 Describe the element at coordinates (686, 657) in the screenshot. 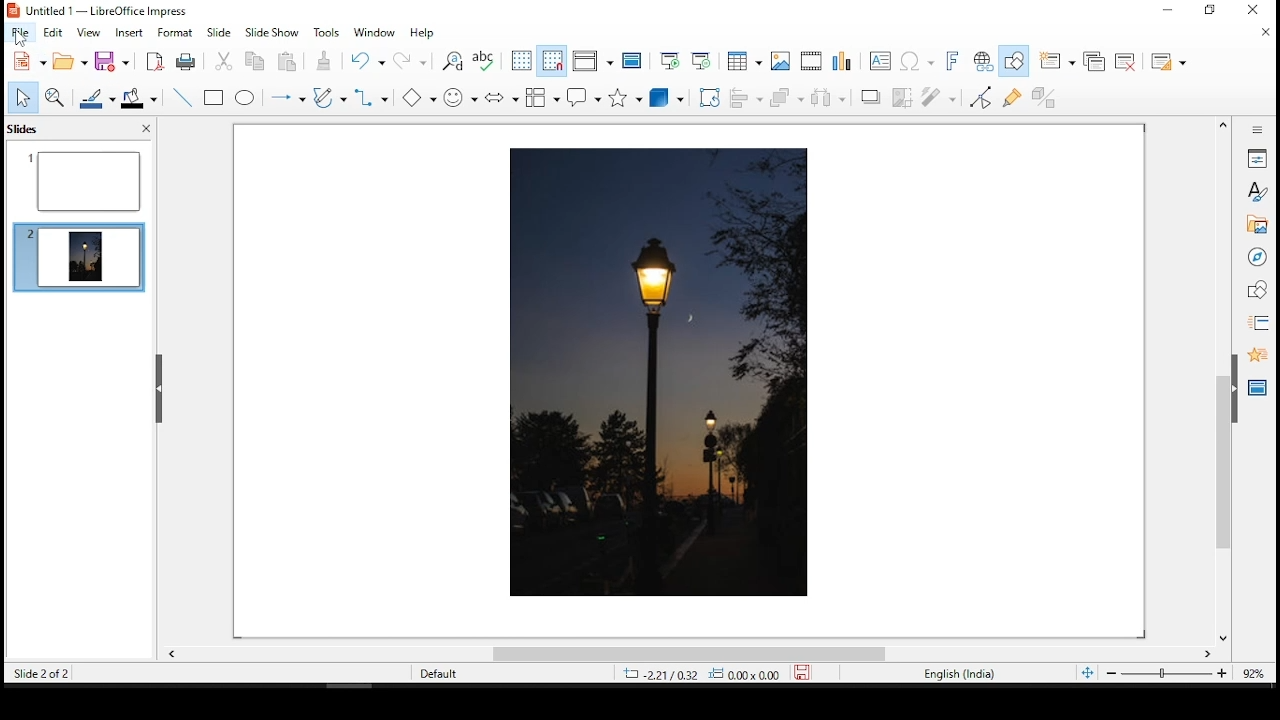

I see `scroll bar` at that location.